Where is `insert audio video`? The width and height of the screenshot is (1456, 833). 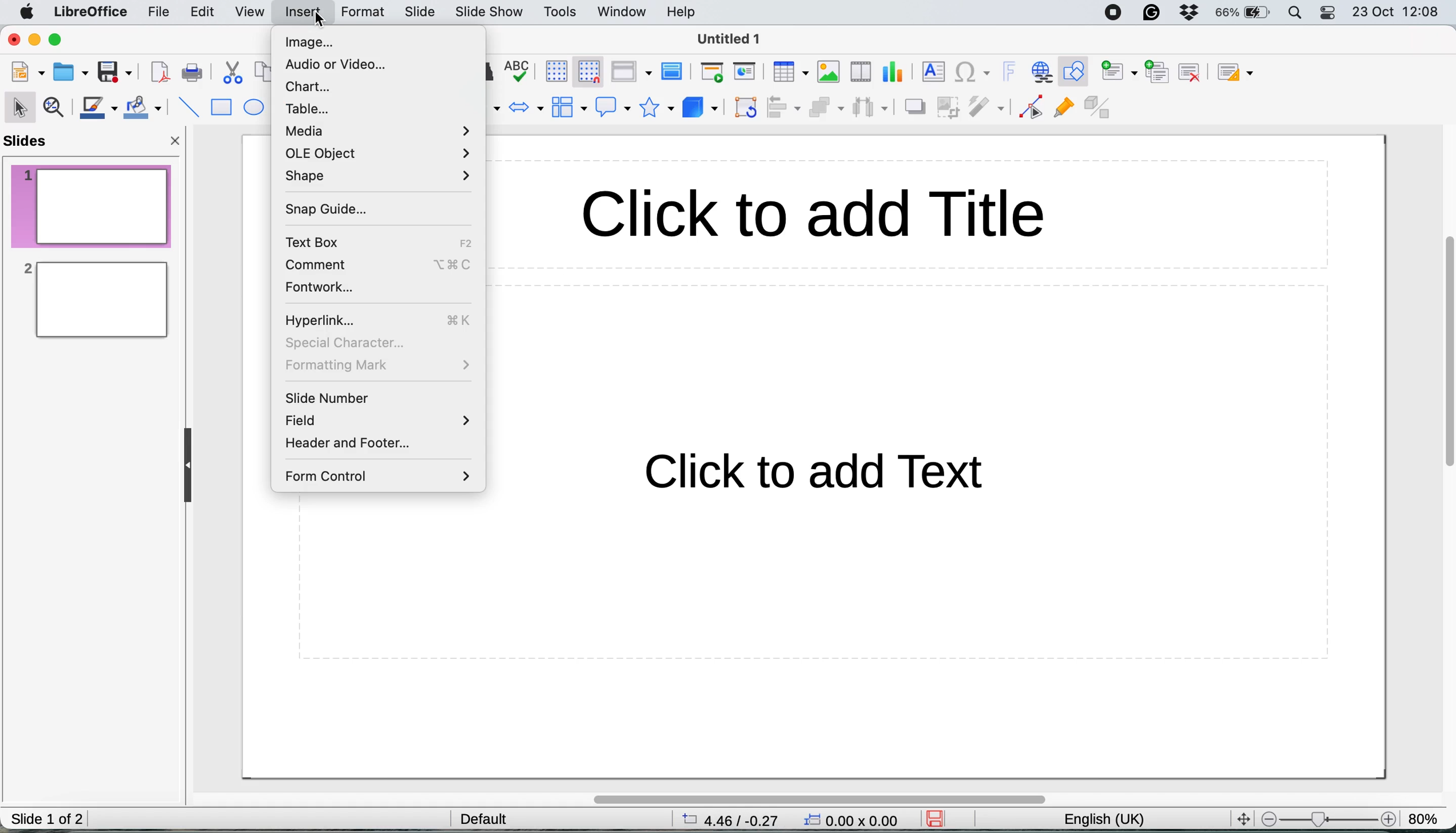 insert audio video is located at coordinates (864, 70).